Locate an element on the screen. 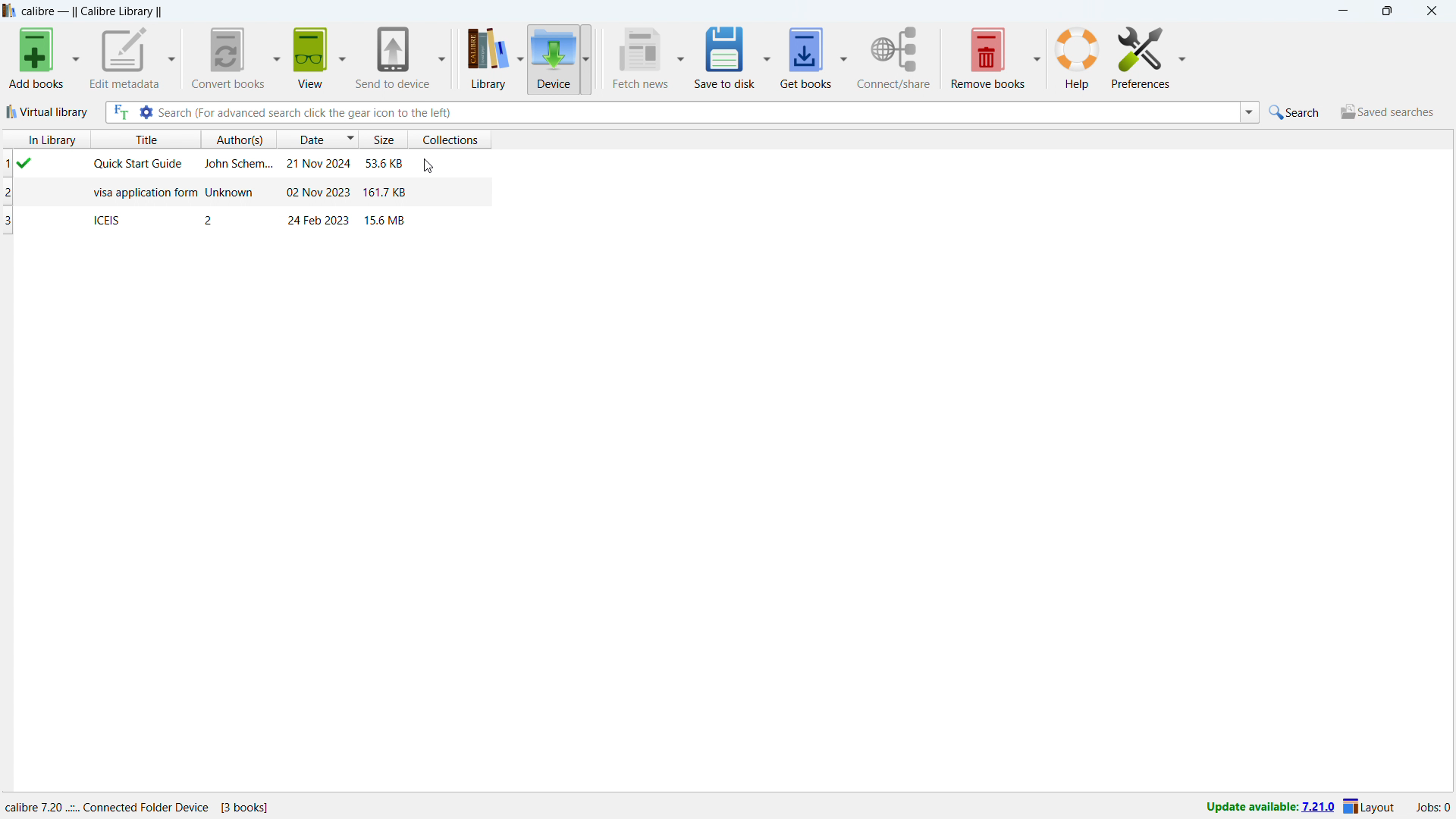  fetch news is located at coordinates (639, 58).